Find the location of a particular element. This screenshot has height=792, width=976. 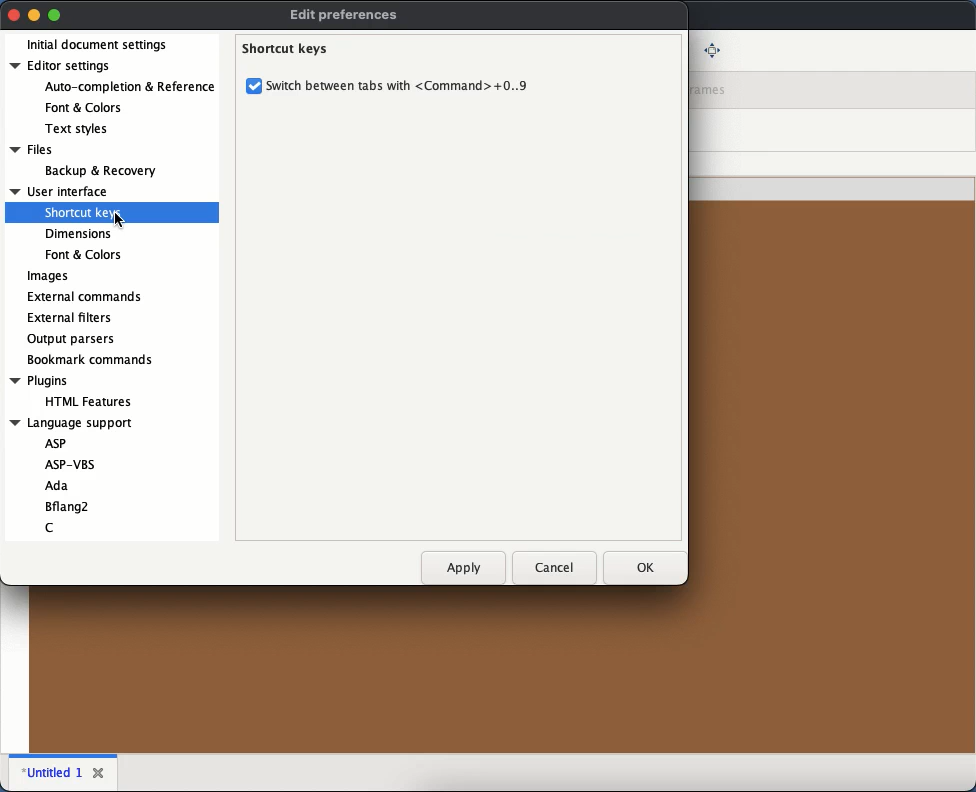

checkbox is located at coordinates (255, 87).